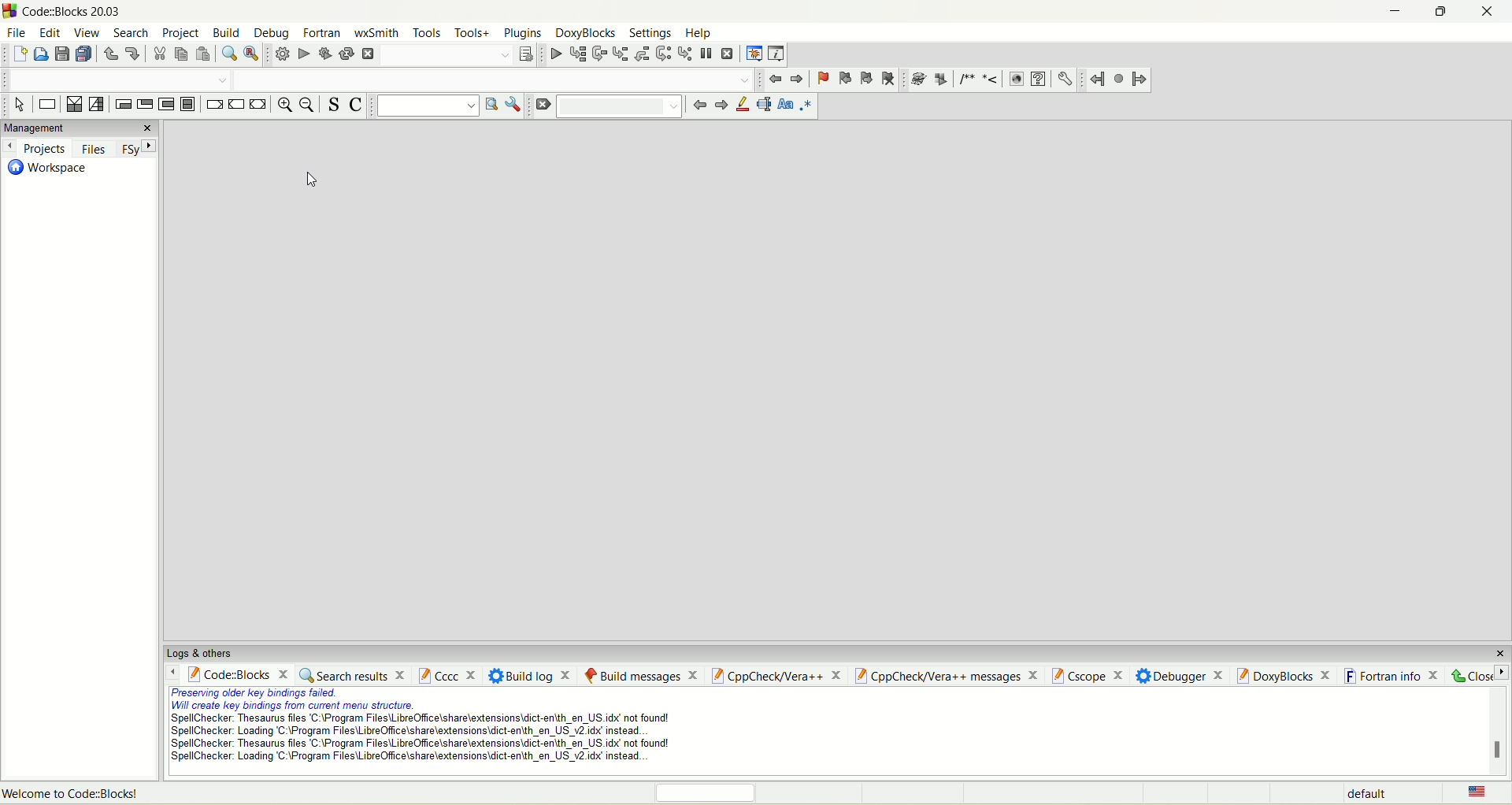 The height and width of the screenshot is (805, 1512). Describe the element at coordinates (251, 54) in the screenshot. I see `replace` at that location.